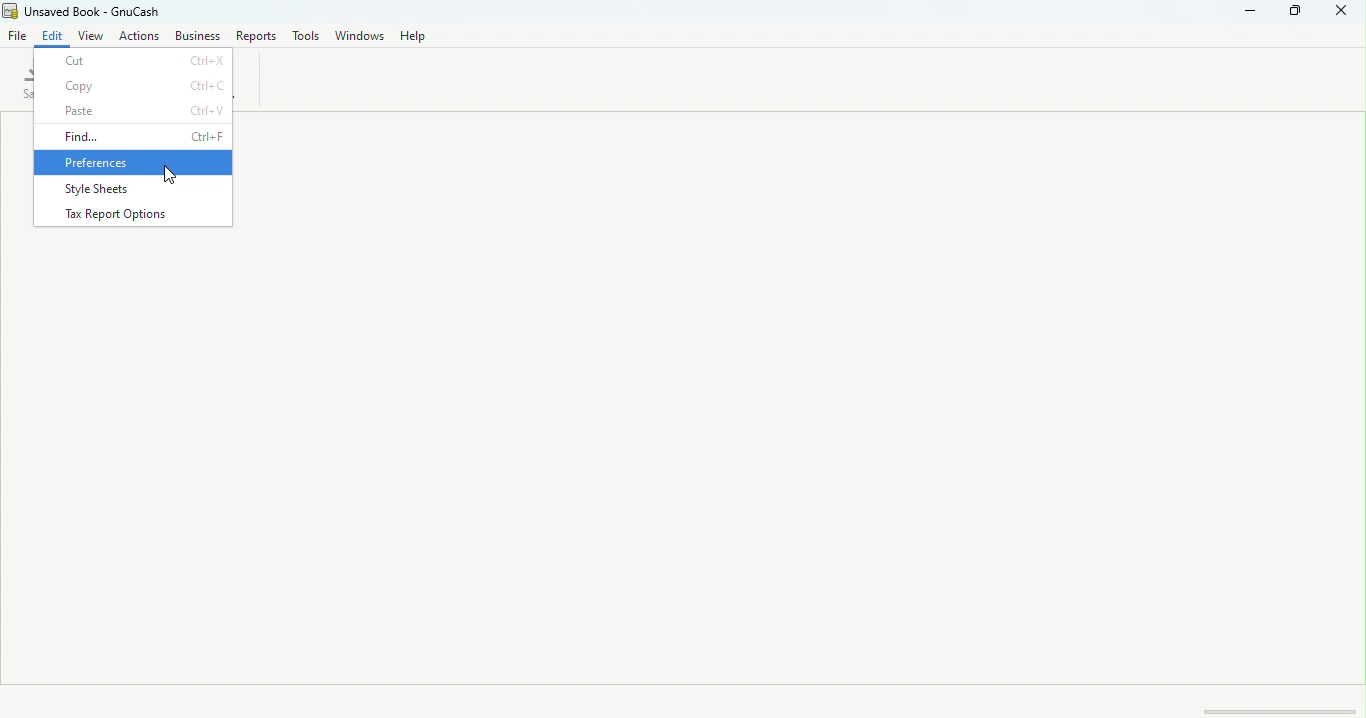 This screenshot has width=1366, height=718. I want to click on Help, so click(415, 35).